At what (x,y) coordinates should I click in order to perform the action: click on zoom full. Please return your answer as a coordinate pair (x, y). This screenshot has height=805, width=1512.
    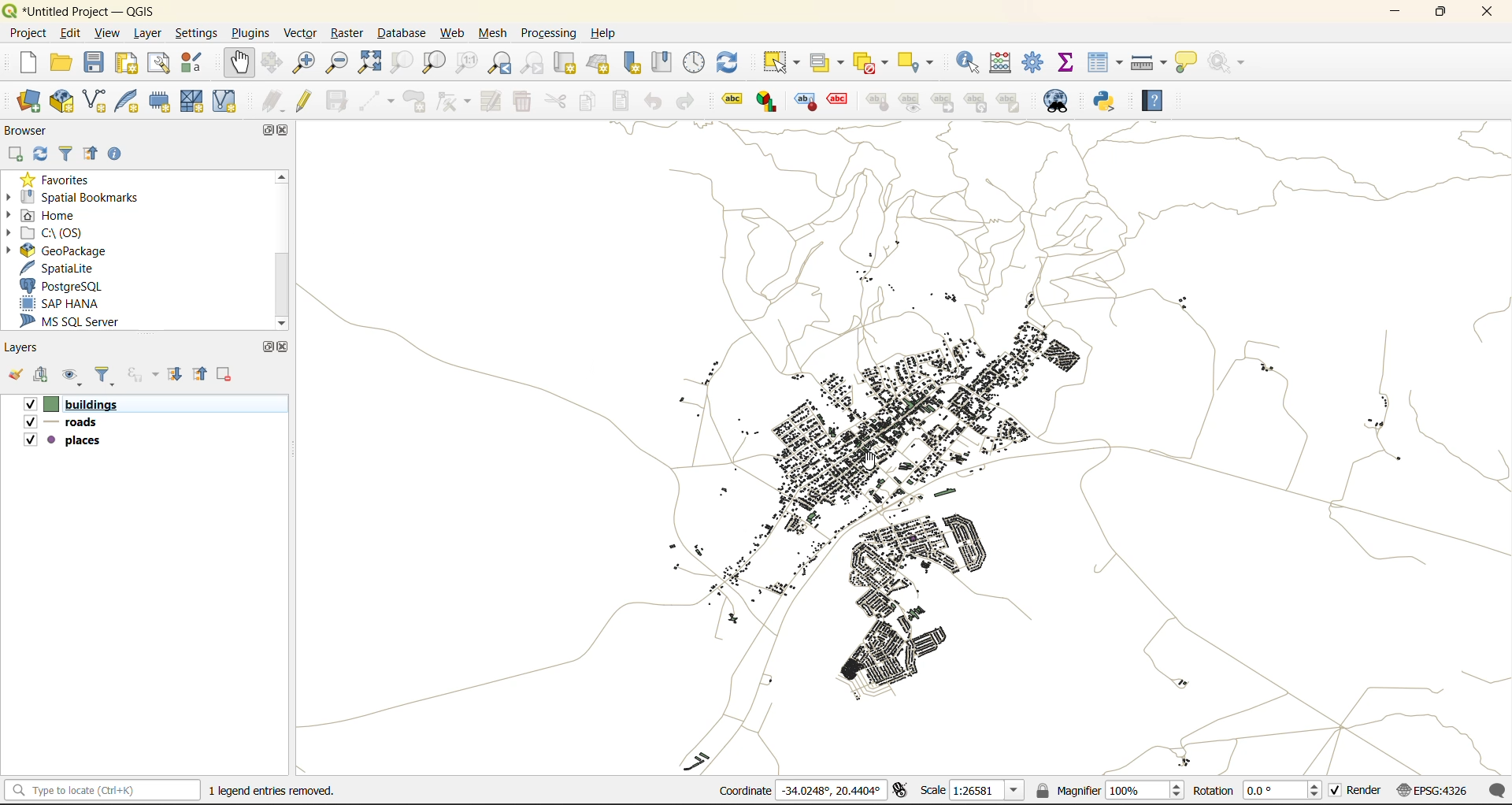
    Looking at the image, I should click on (372, 63).